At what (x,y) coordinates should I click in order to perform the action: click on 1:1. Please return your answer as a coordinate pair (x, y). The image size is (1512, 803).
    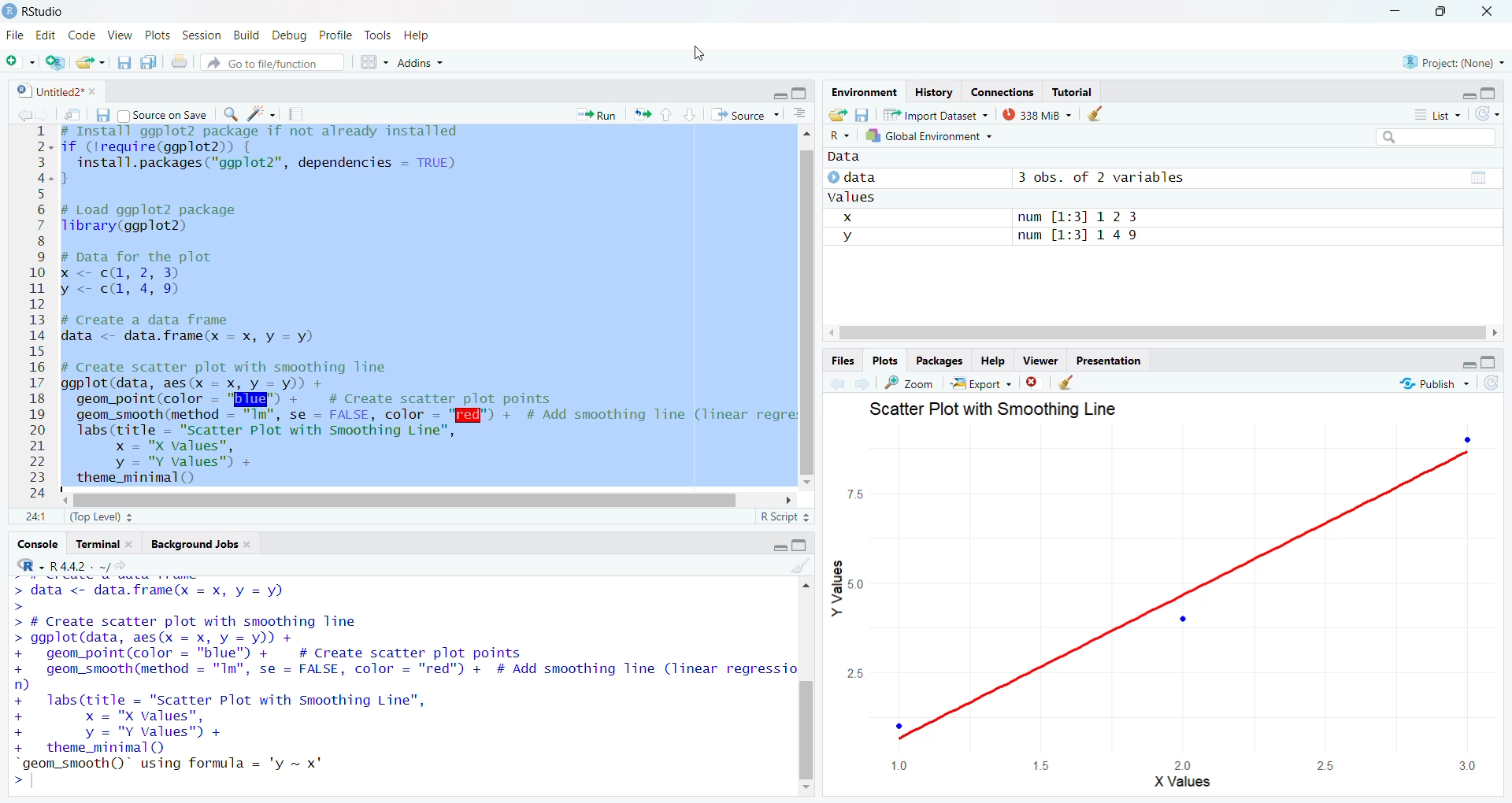
    Looking at the image, I should click on (35, 516).